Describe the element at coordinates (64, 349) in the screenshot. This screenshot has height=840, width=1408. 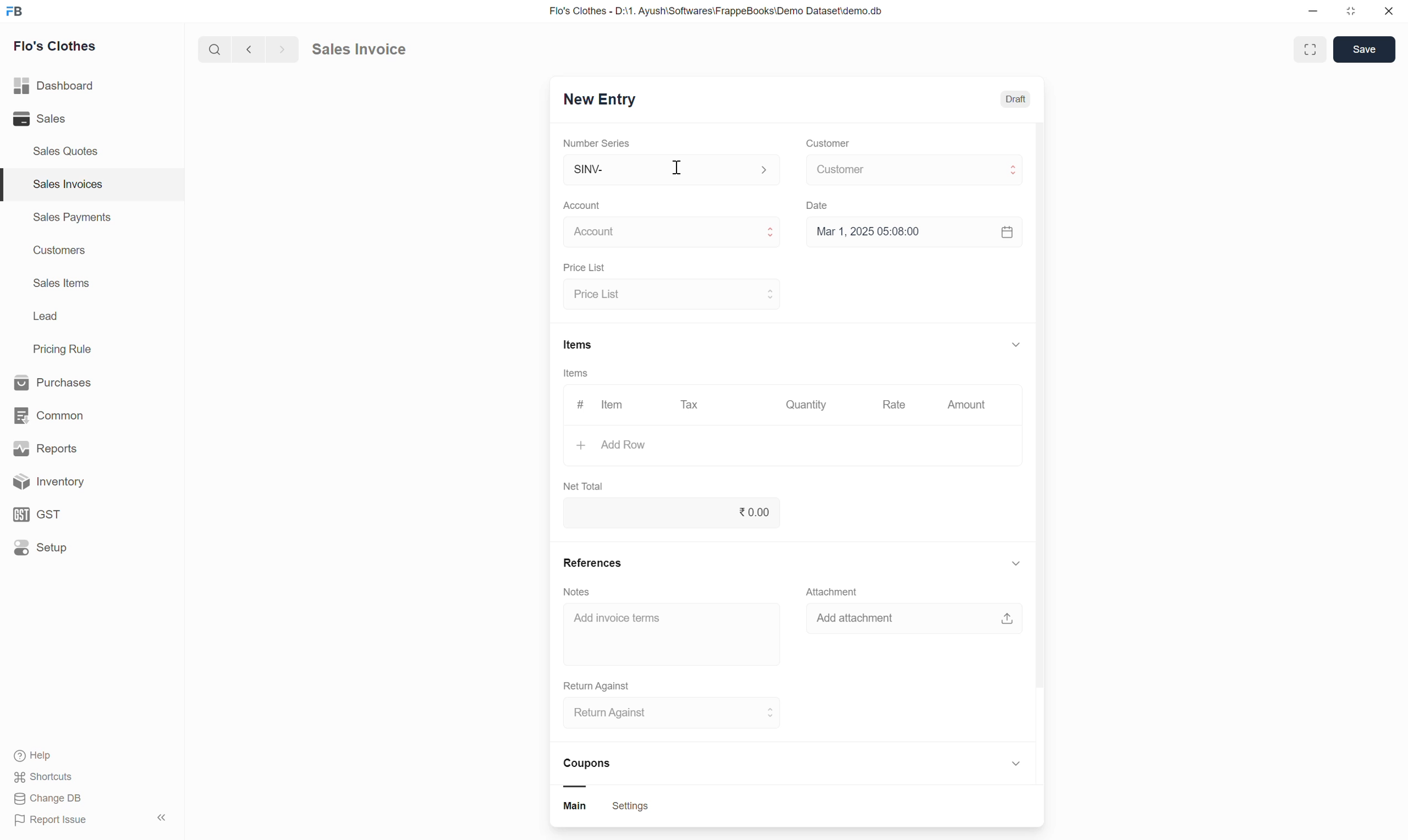
I see `Pricing Rule` at that location.